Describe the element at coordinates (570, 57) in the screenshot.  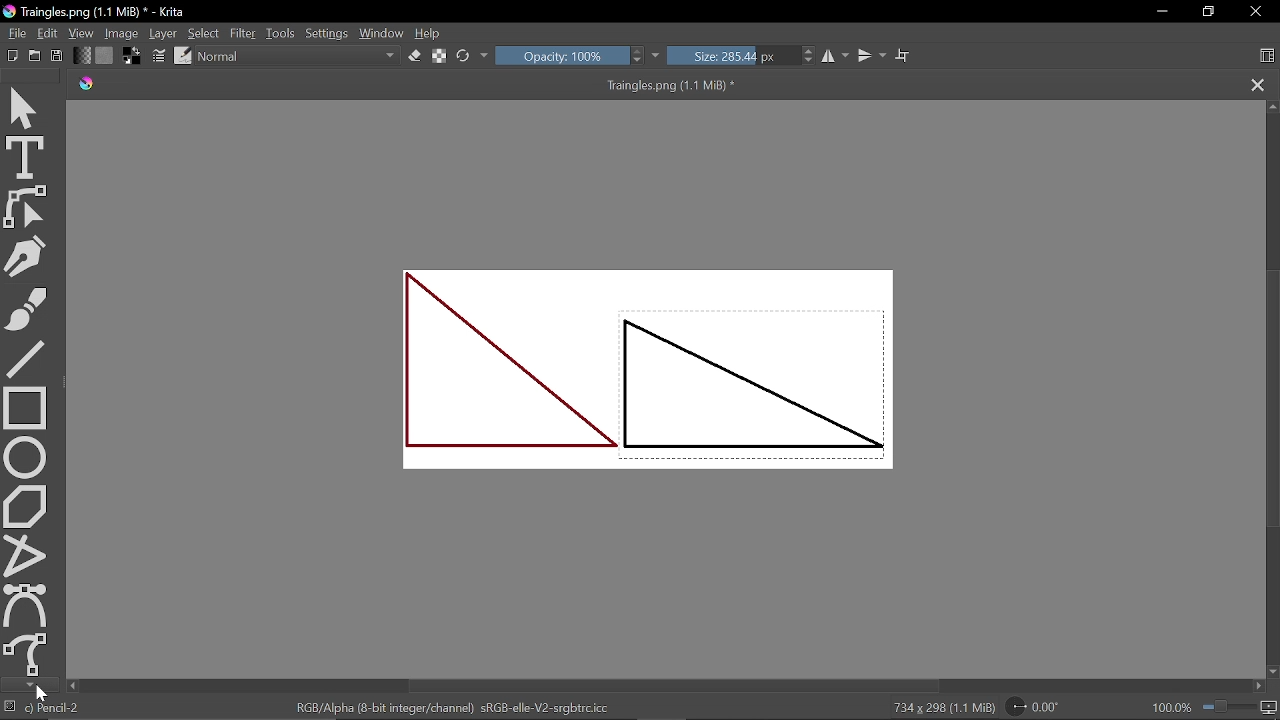
I see `Opacity: 100%` at that location.